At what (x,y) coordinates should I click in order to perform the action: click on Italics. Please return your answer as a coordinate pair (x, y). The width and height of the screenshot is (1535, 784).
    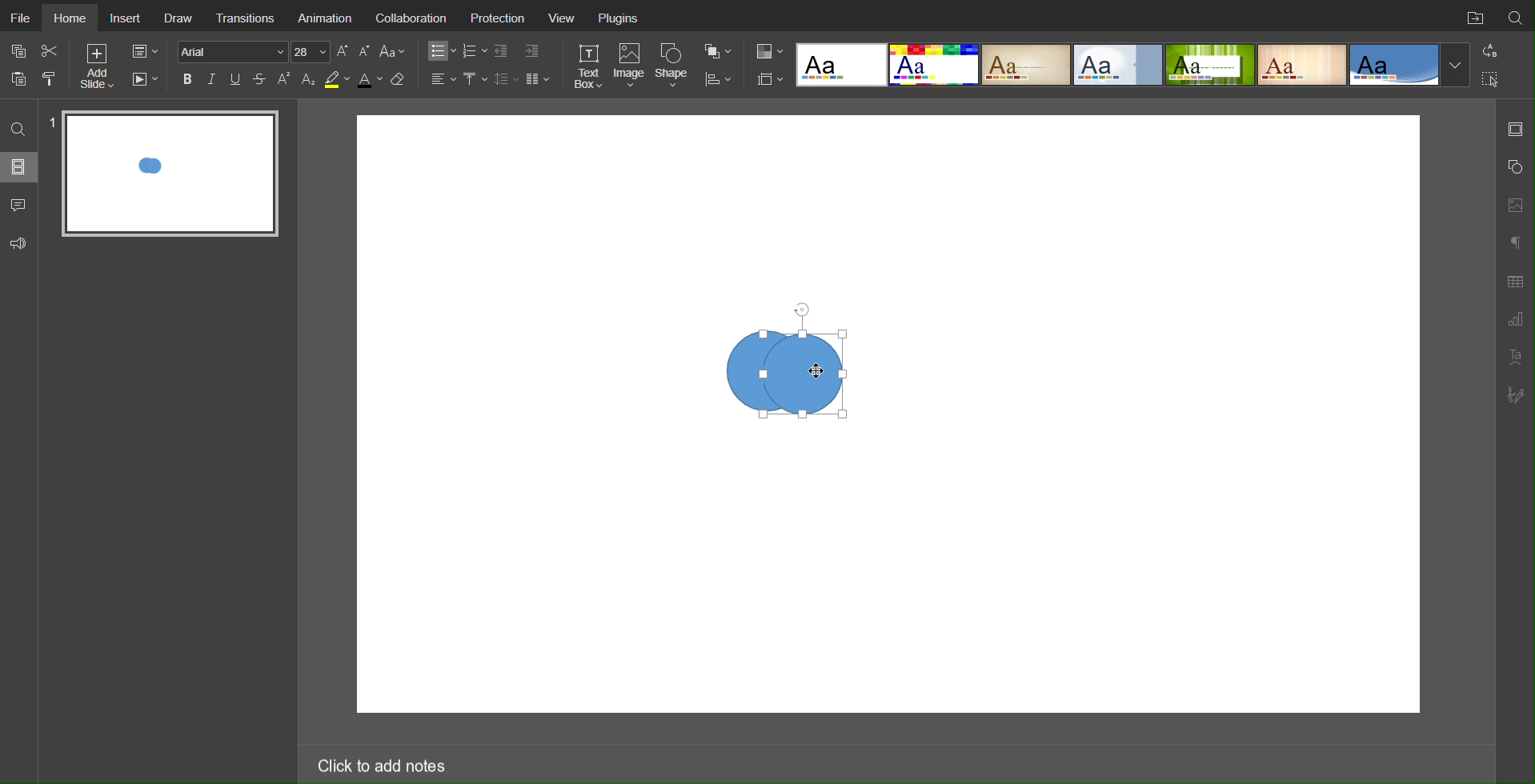
    Looking at the image, I should click on (212, 79).